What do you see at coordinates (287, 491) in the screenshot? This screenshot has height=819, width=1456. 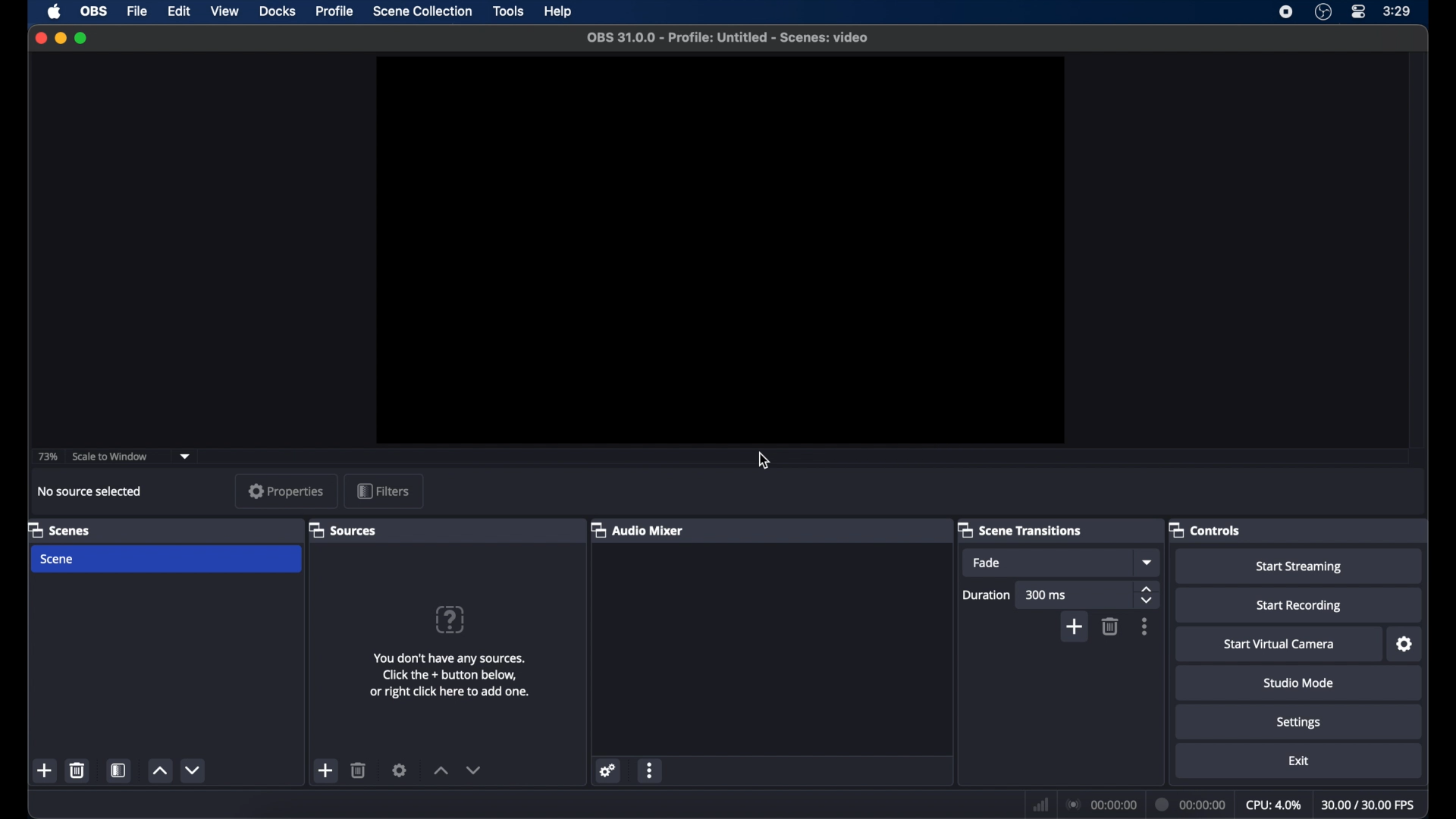 I see `properties` at bounding box center [287, 491].